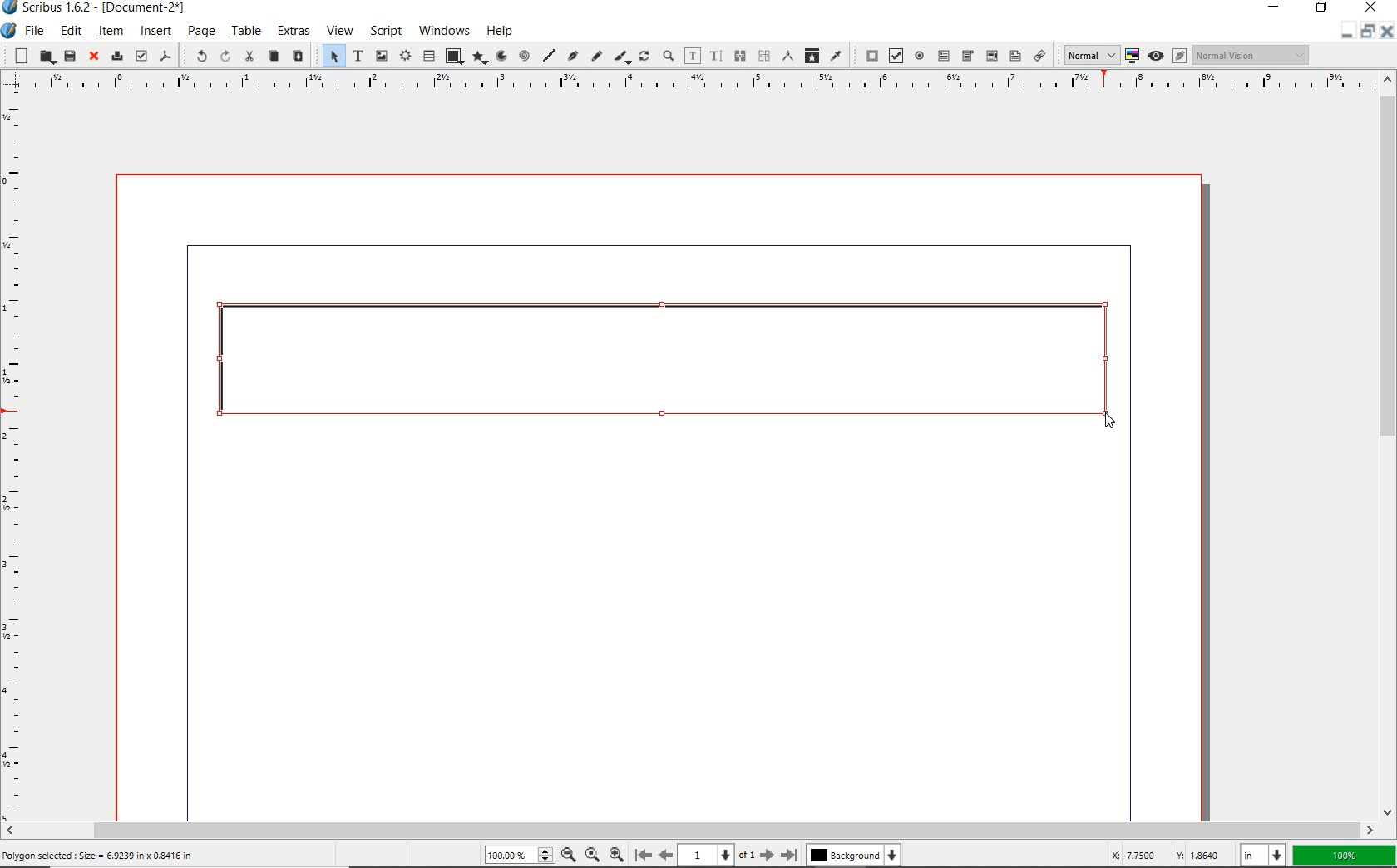  What do you see at coordinates (501, 56) in the screenshot?
I see `arc` at bounding box center [501, 56].